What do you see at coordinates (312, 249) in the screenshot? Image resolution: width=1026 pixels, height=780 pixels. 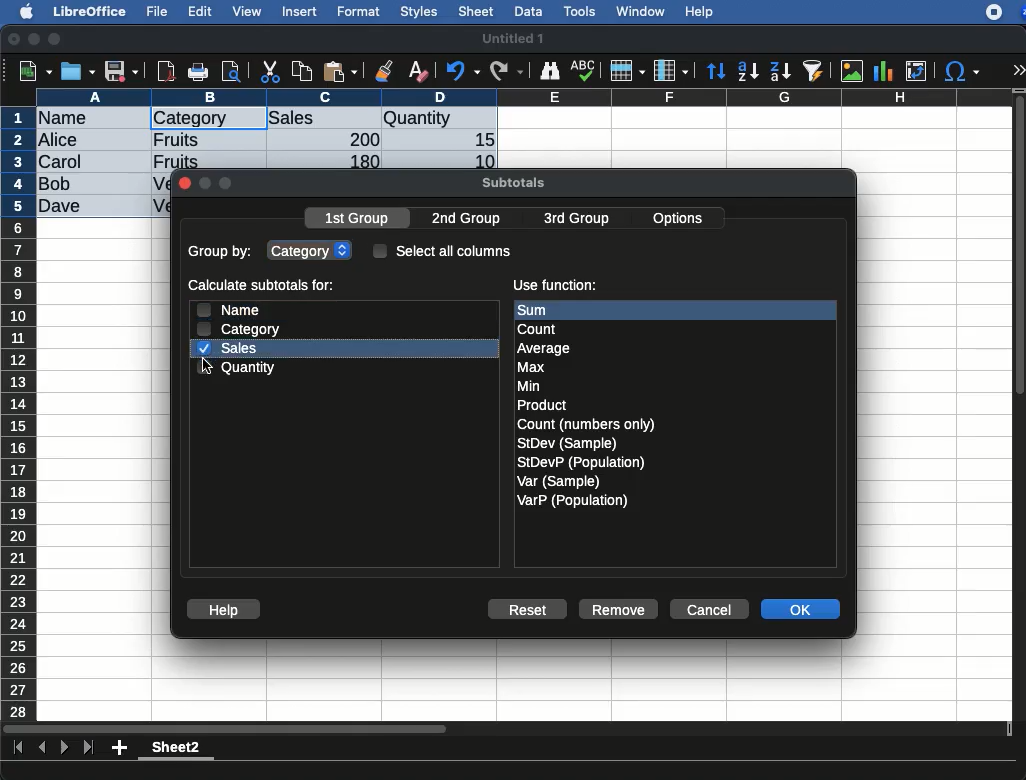 I see `category` at bounding box center [312, 249].